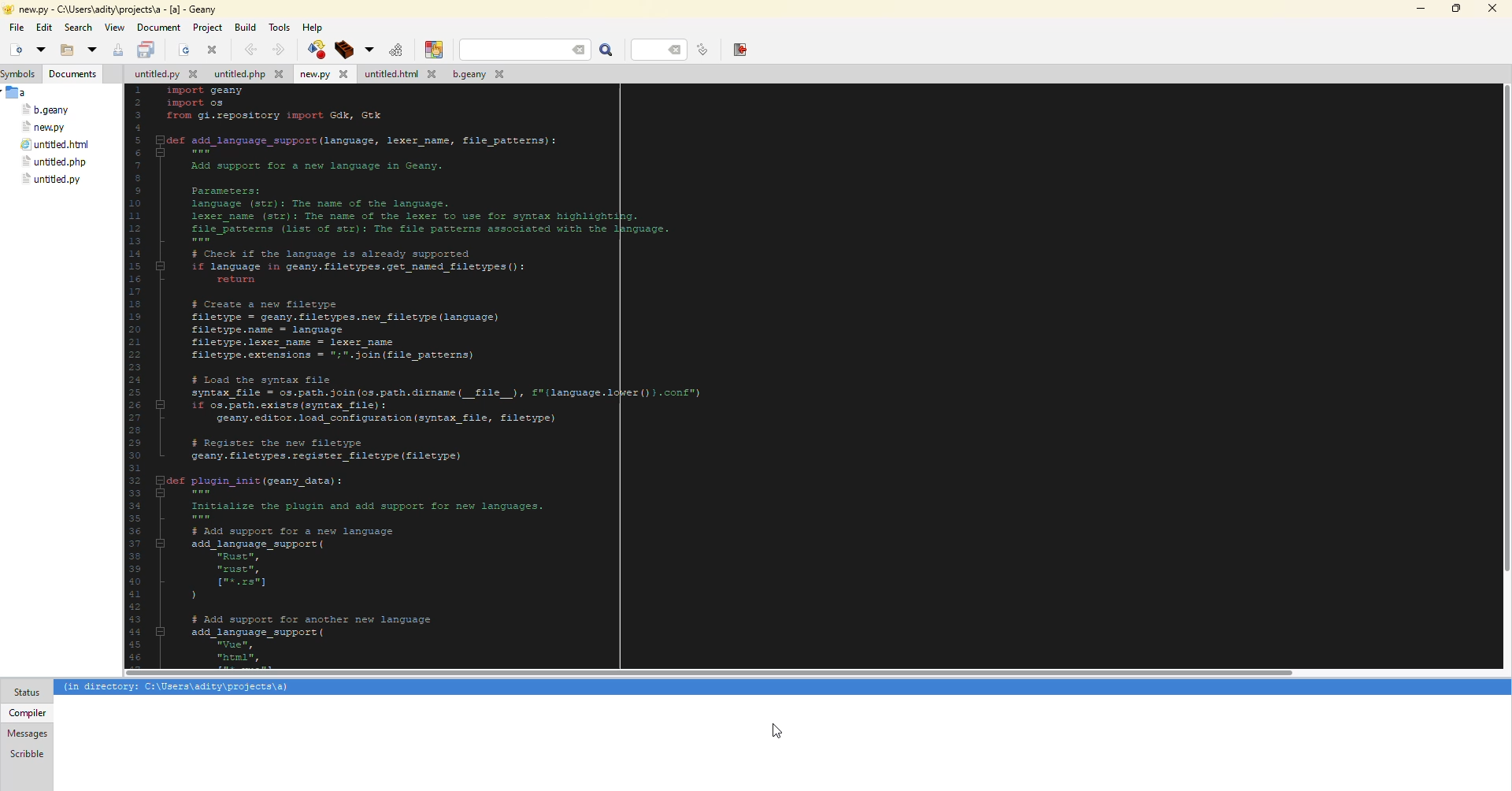  I want to click on open, so click(91, 50).